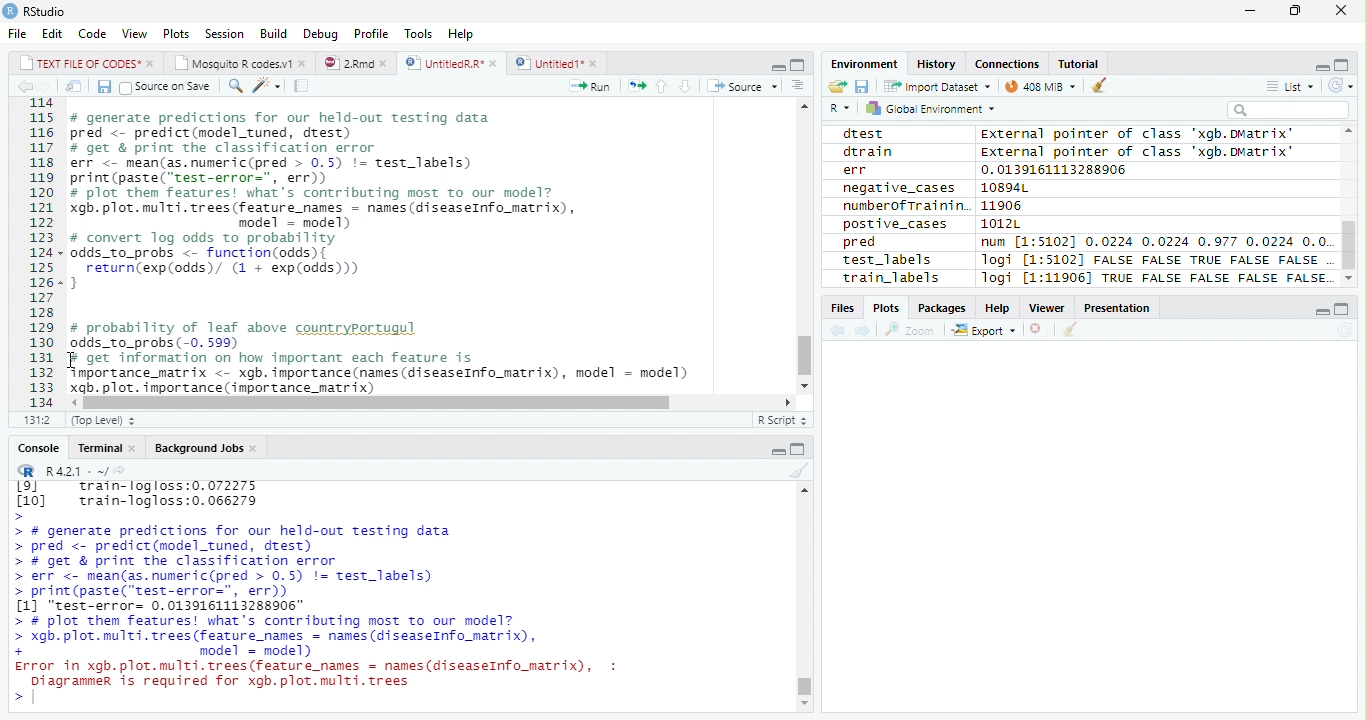 The height and width of the screenshot is (720, 1366). Describe the element at coordinates (1003, 223) in the screenshot. I see `1012L` at that location.